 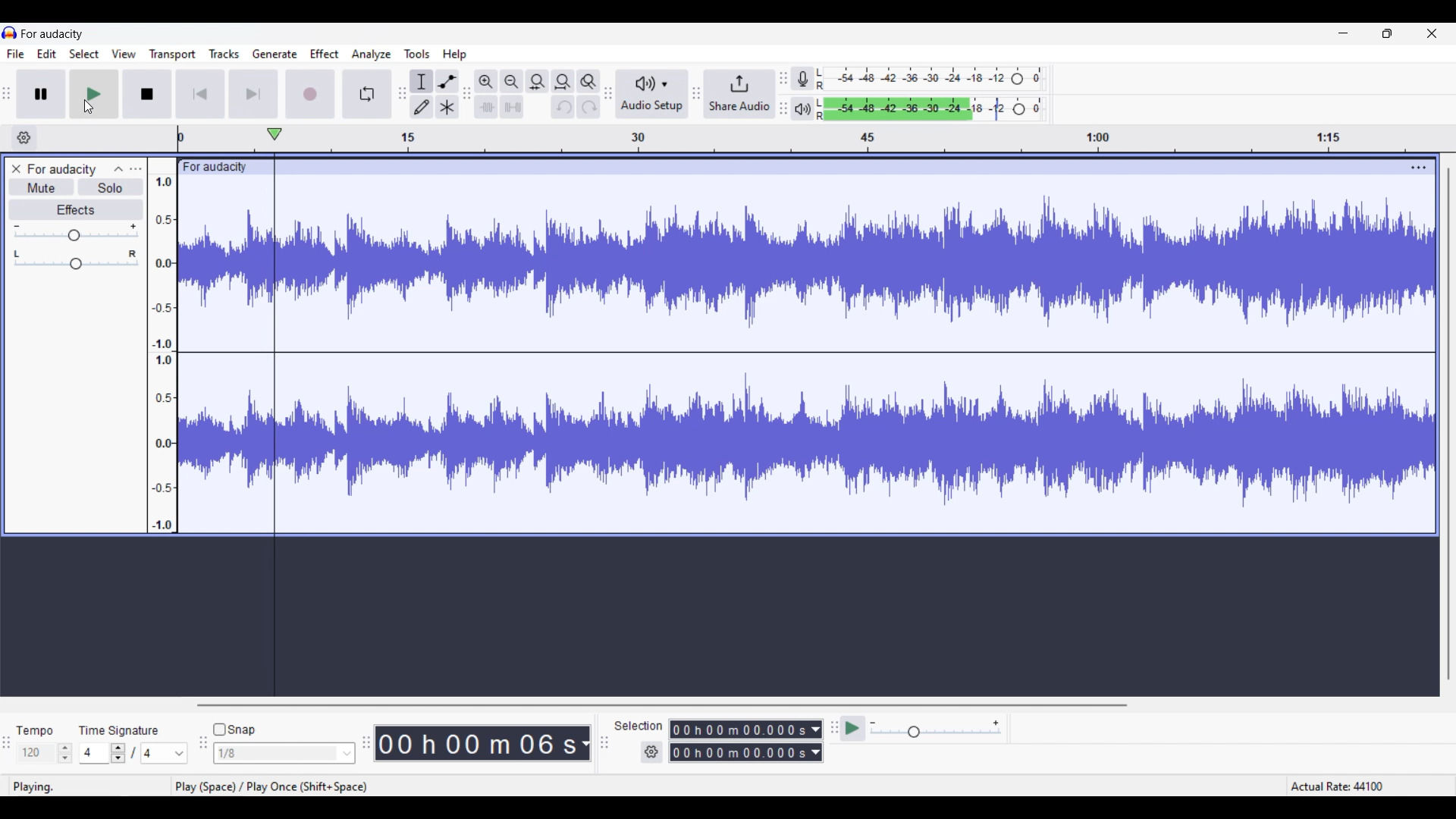 I want to click on Indicates time signature settings, so click(x=118, y=730).